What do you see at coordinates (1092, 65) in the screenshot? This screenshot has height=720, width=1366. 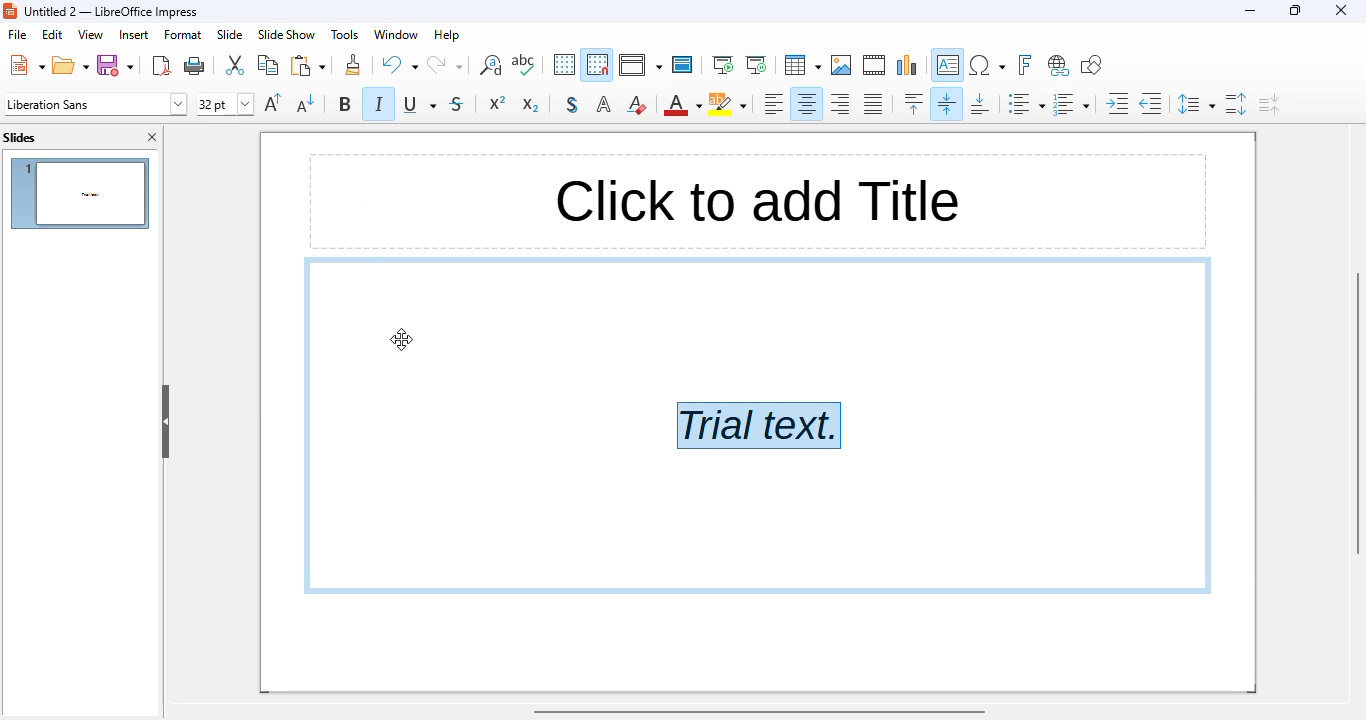 I see `show draw functions` at bounding box center [1092, 65].